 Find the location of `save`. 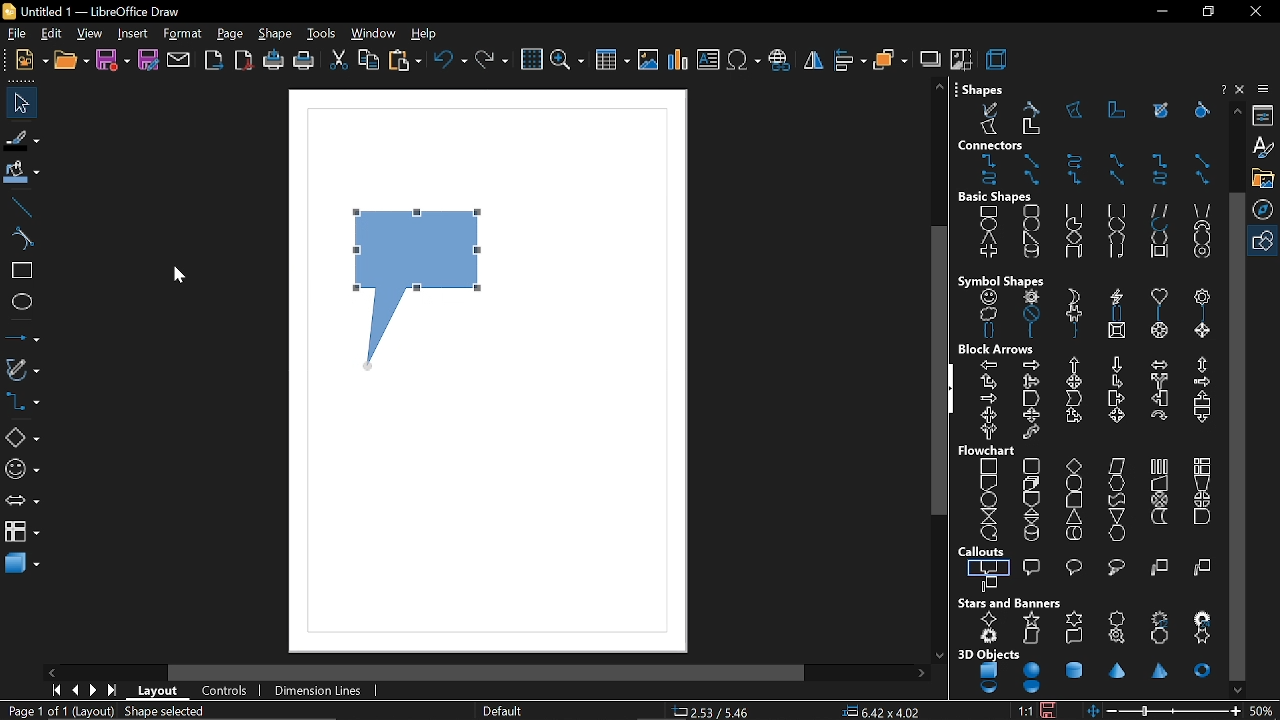

save is located at coordinates (114, 62).